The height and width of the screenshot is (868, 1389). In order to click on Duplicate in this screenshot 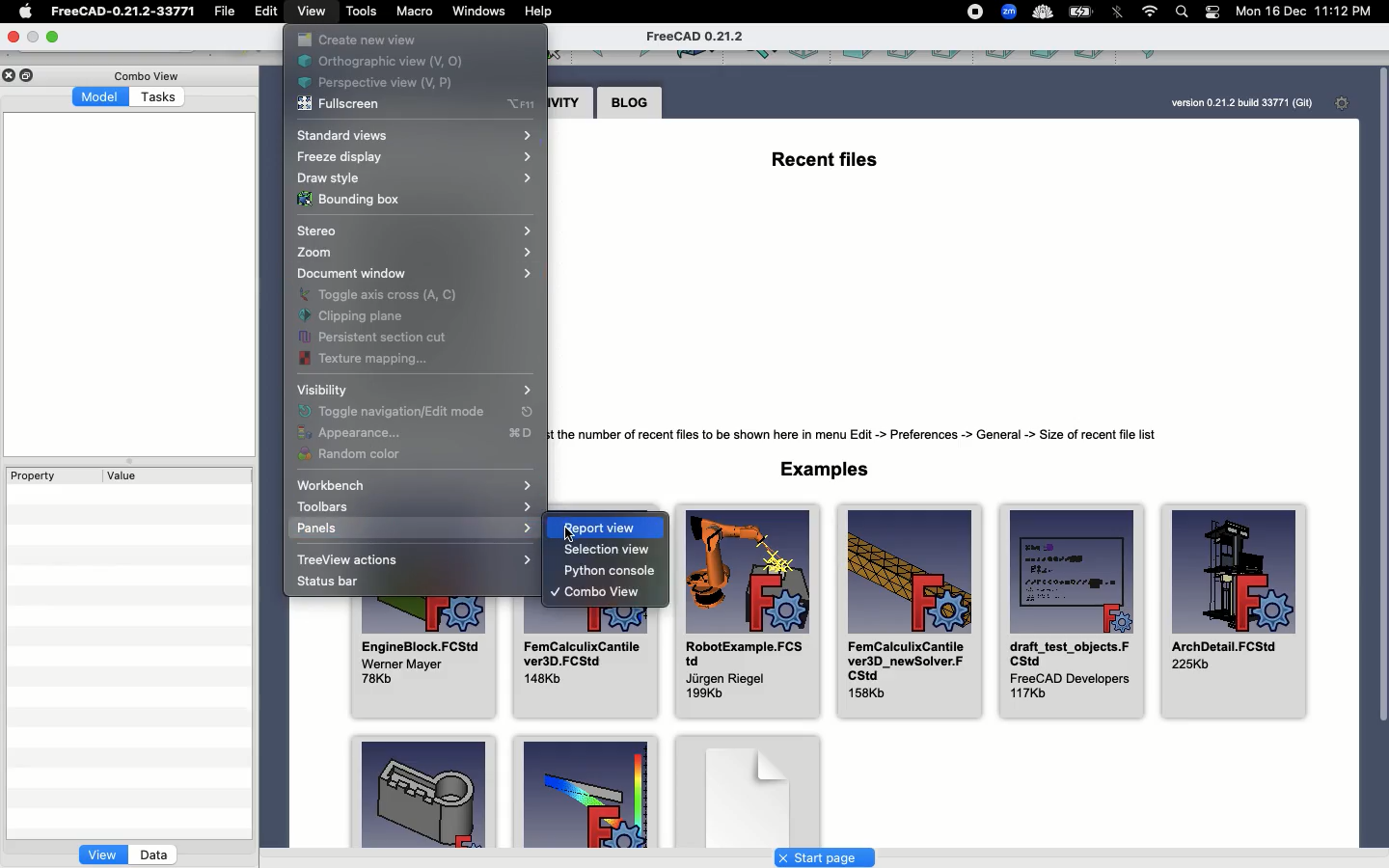, I will do `click(30, 74)`.